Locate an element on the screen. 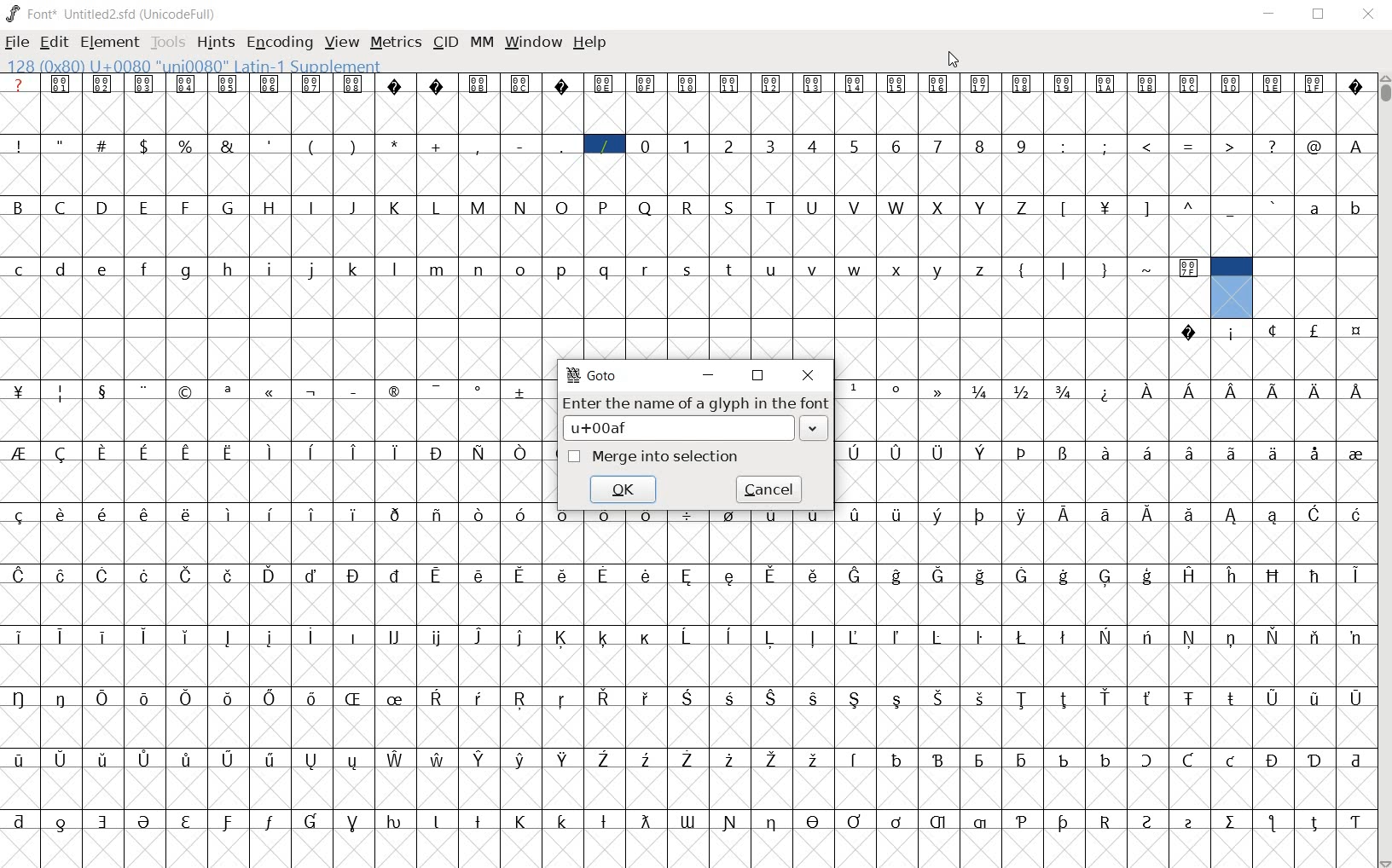 This screenshot has height=868, width=1392. Symbol is located at coordinates (315, 699).